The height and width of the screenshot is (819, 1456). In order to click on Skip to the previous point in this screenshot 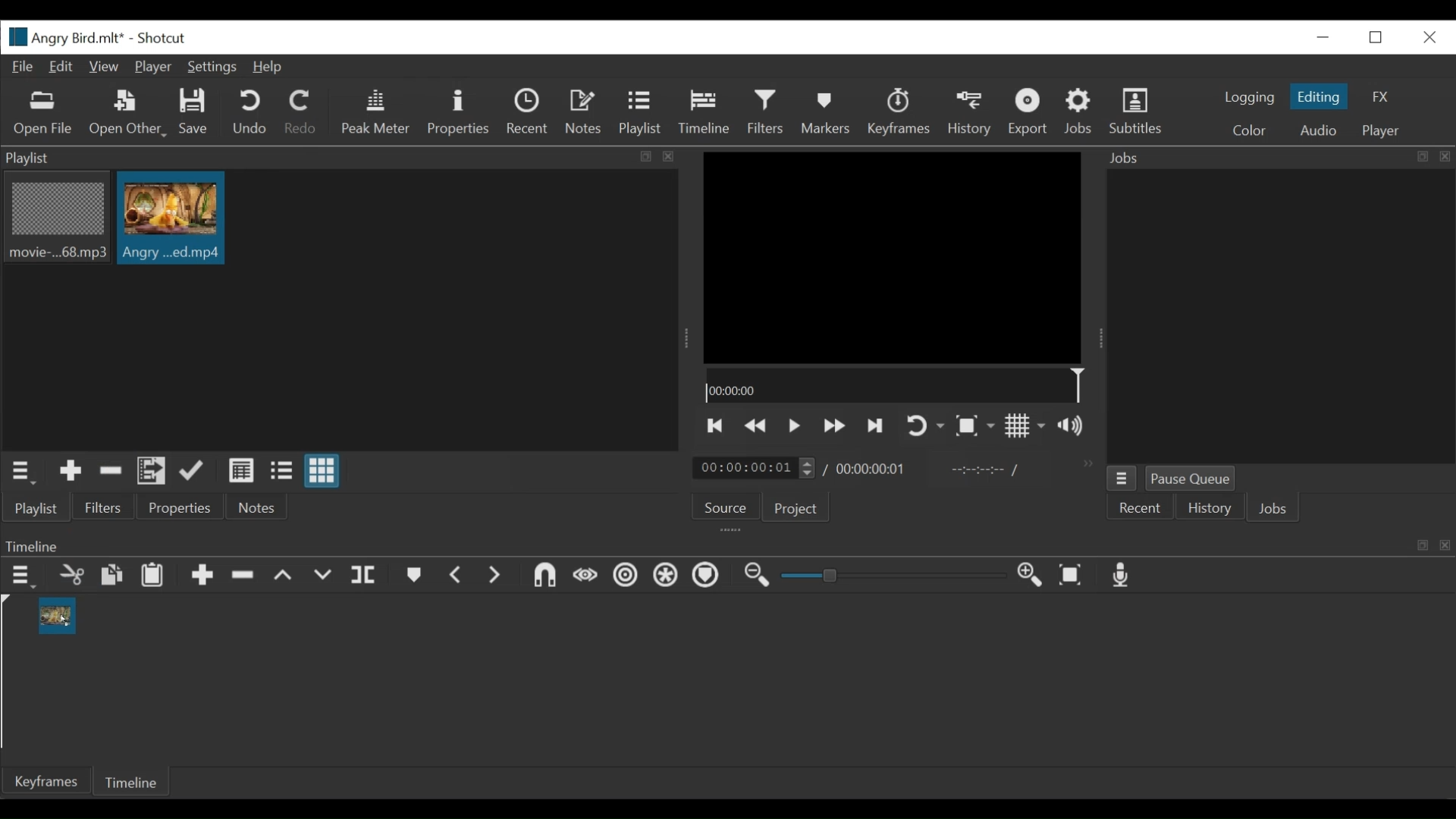, I will do `click(715, 427)`.